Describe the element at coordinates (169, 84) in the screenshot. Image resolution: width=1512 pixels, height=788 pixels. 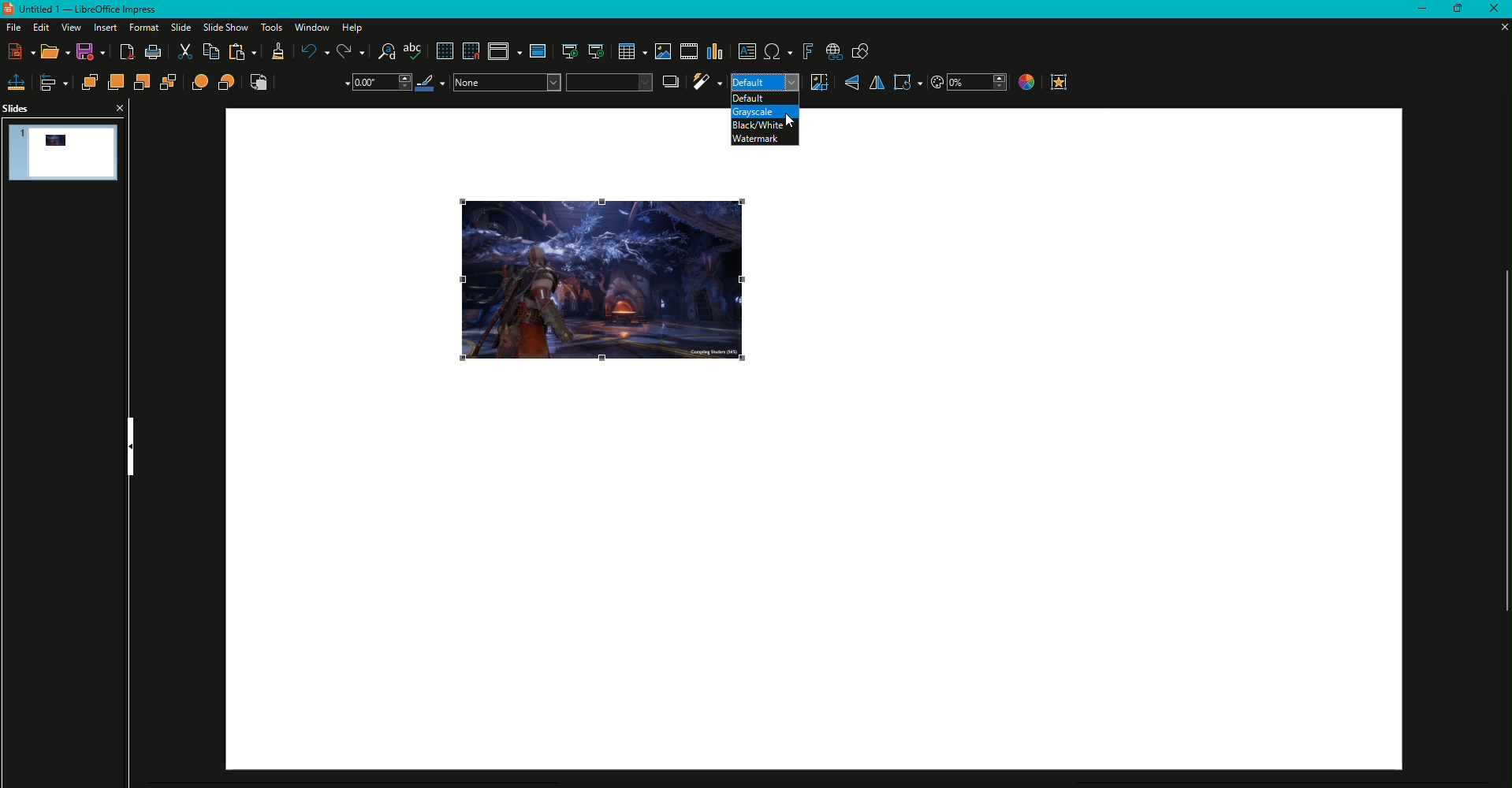
I see `Back` at that location.